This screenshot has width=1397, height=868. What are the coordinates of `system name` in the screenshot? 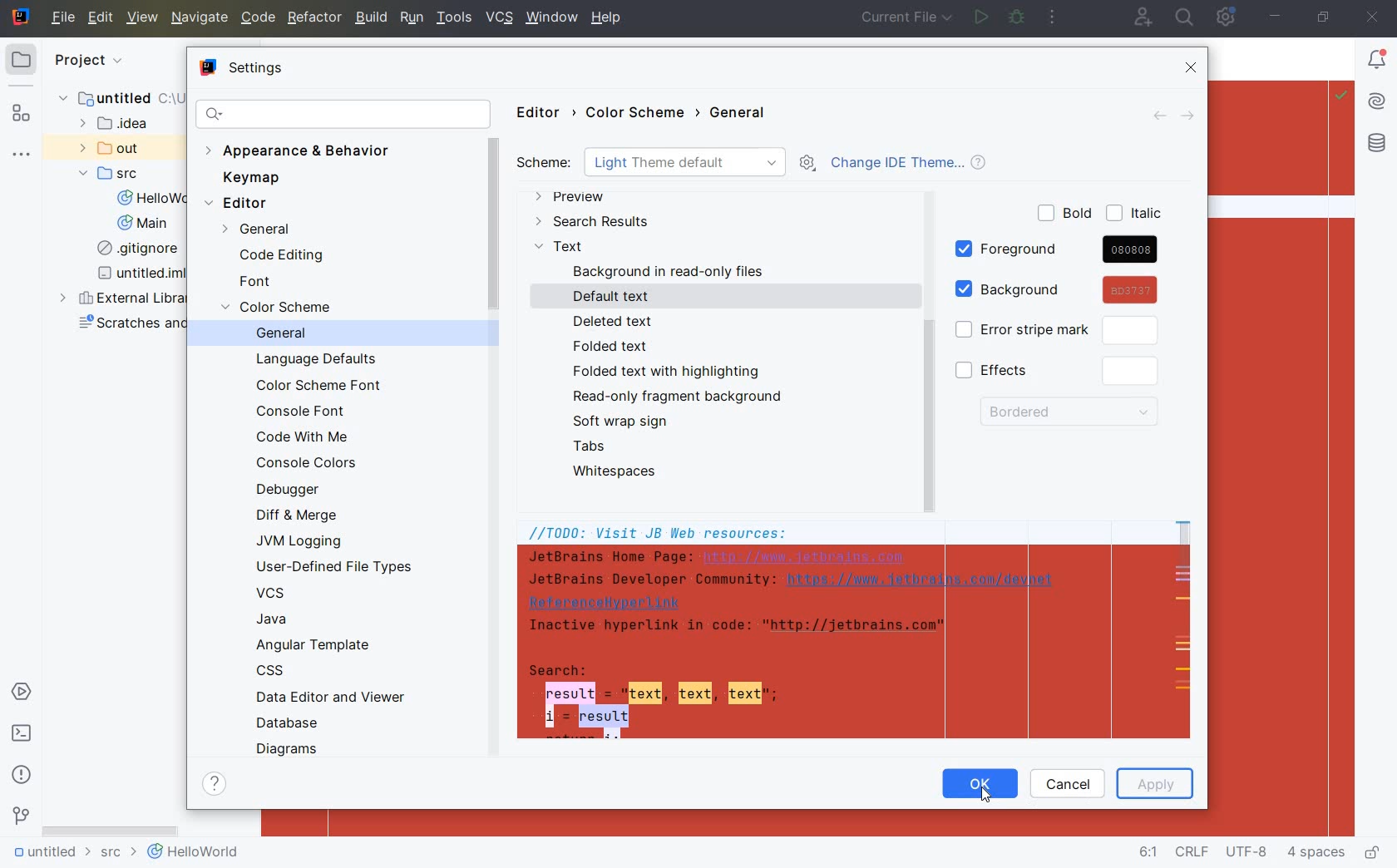 It's located at (20, 17).